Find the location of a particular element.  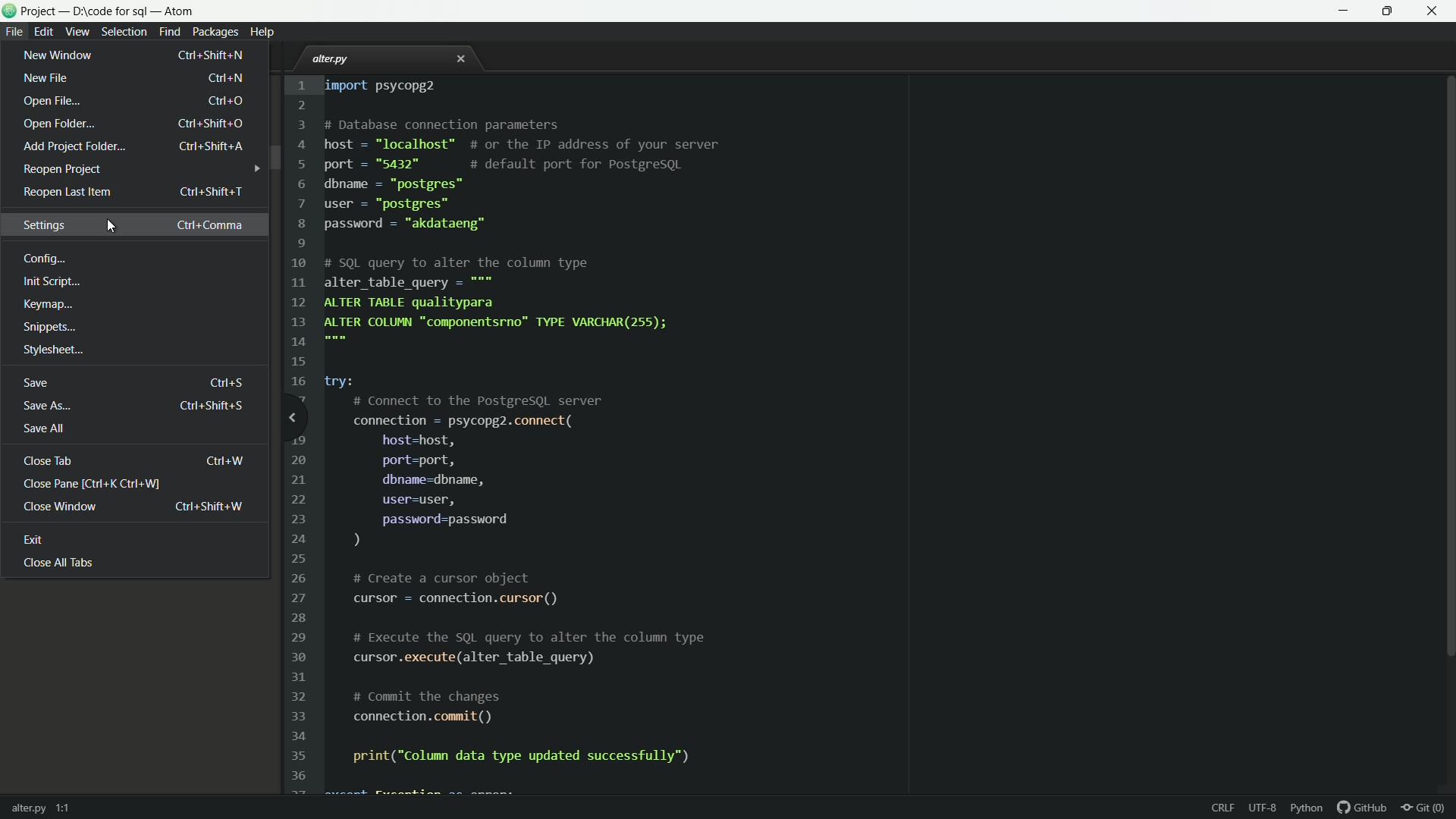

close tab is located at coordinates (133, 462).